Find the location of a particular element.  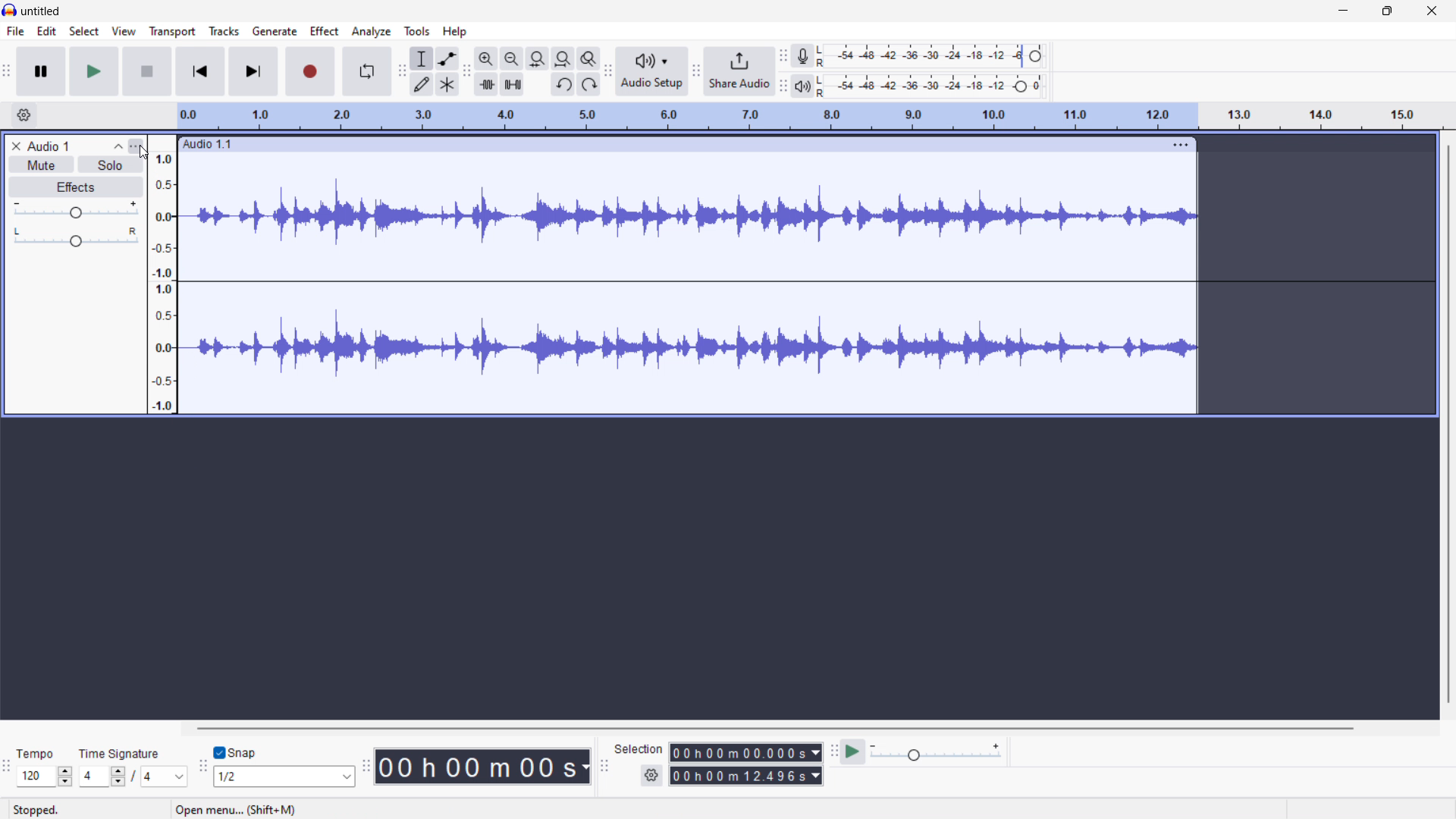

Time Signature Label is located at coordinates (124, 752).